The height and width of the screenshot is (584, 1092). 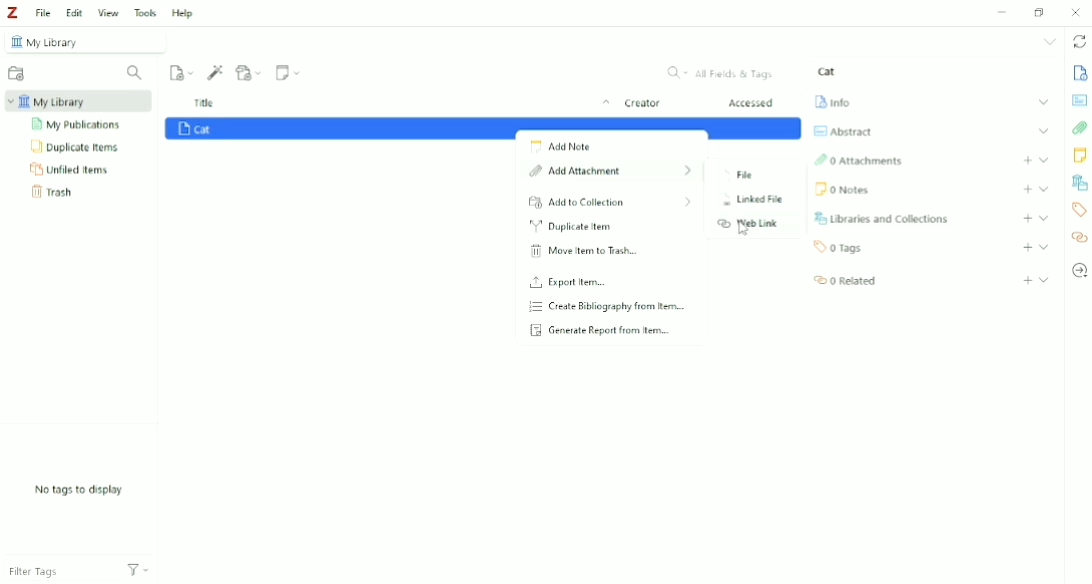 What do you see at coordinates (57, 567) in the screenshot?
I see `Filter Tags` at bounding box center [57, 567].